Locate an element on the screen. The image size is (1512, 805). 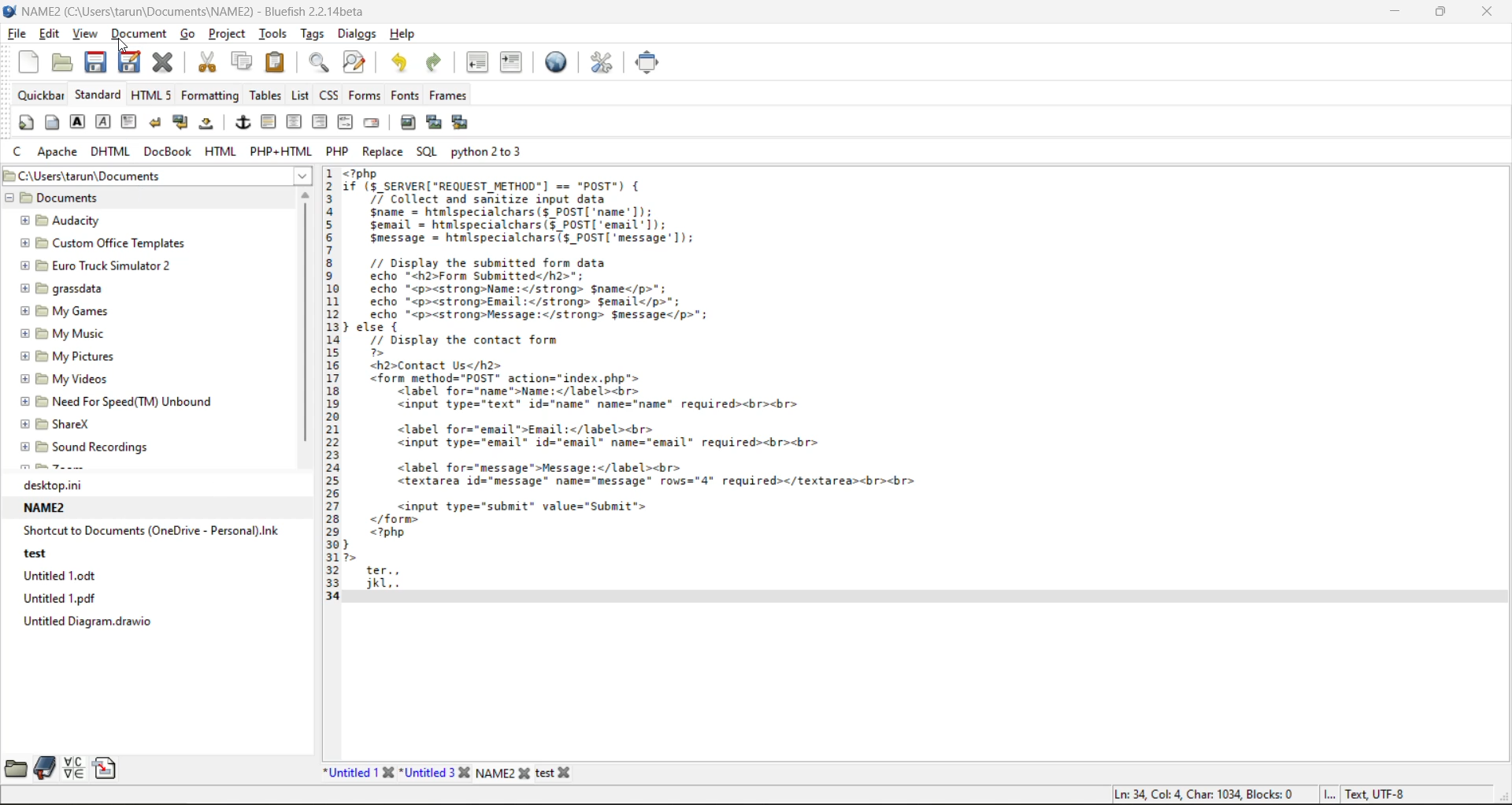
custom office template is located at coordinates (98, 243).